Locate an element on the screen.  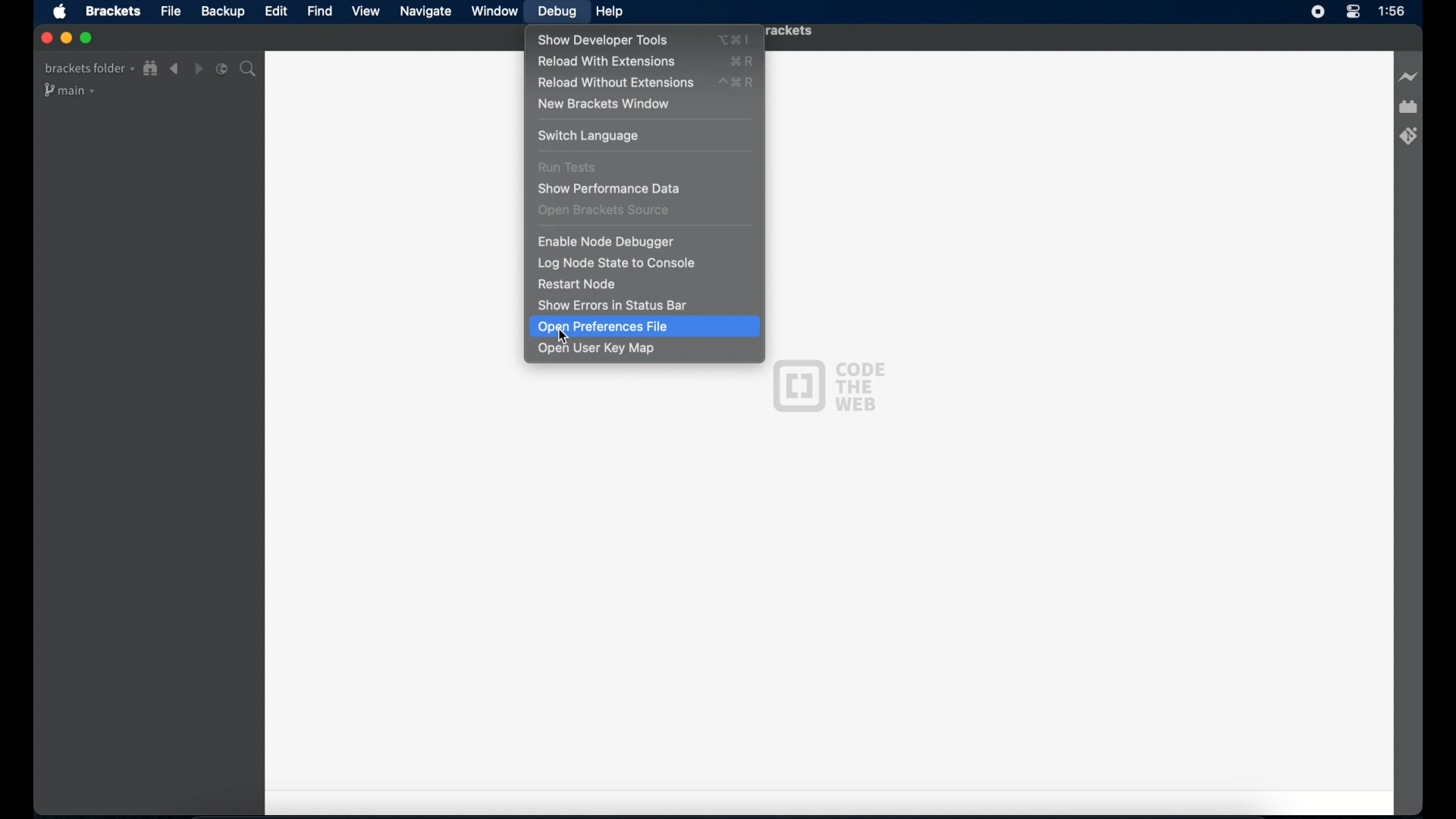
open brackets source is located at coordinates (604, 212).